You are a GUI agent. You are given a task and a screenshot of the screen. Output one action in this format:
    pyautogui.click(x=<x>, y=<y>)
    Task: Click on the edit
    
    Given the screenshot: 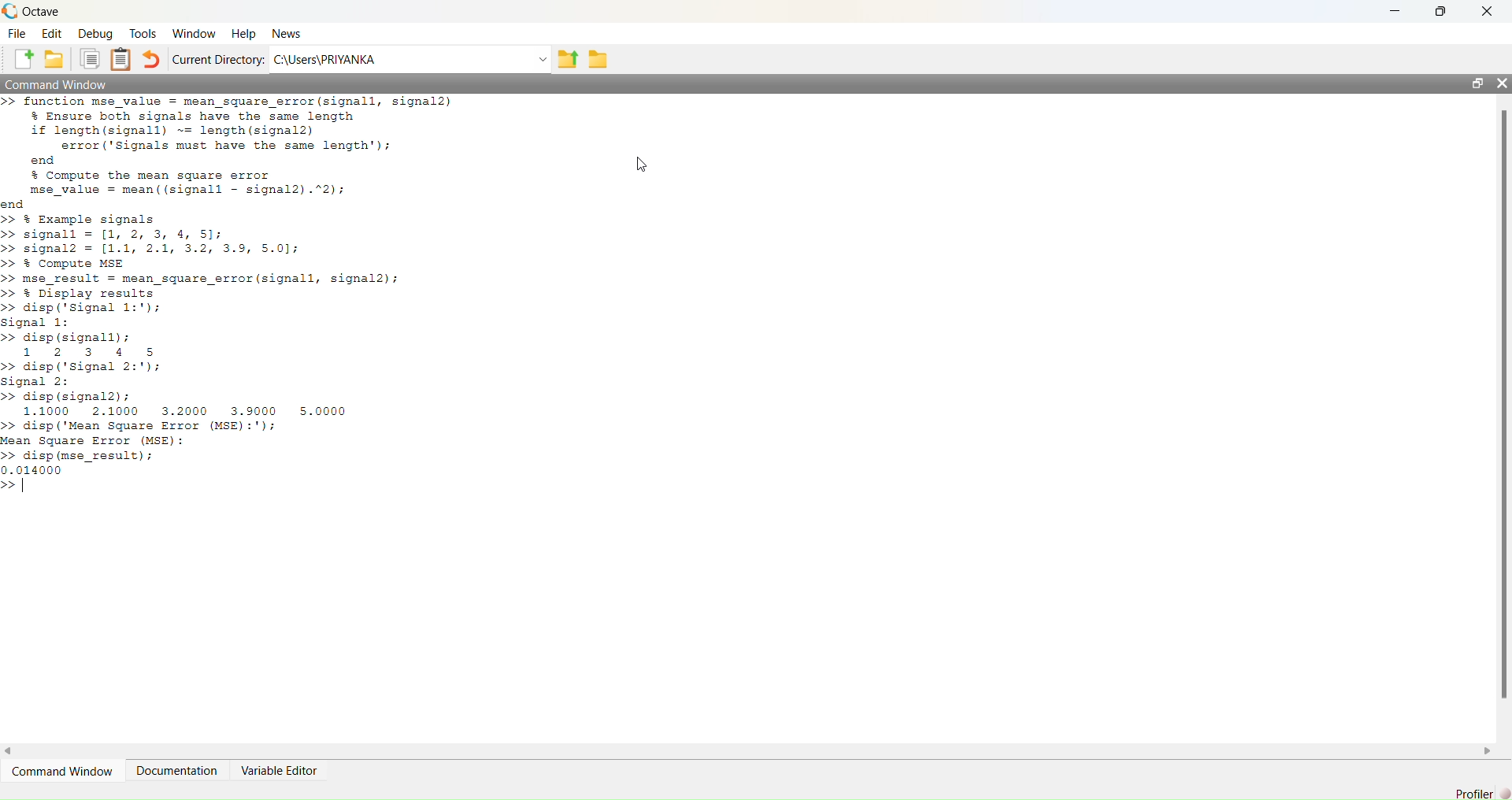 What is the action you would take?
    pyautogui.click(x=52, y=32)
    